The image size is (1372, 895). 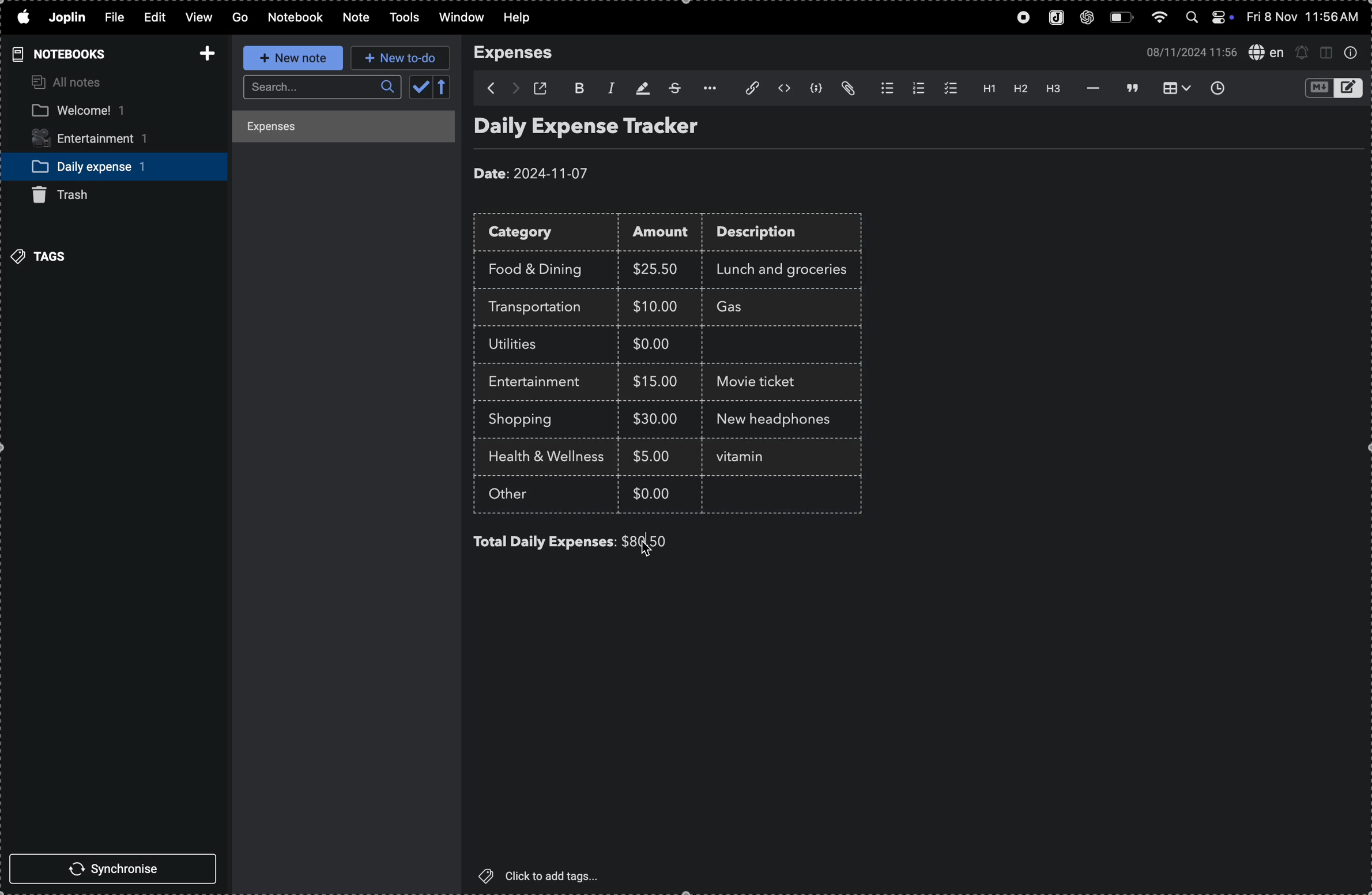 What do you see at coordinates (1351, 53) in the screenshot?
I see `info` at bounding box center [1351, 53].